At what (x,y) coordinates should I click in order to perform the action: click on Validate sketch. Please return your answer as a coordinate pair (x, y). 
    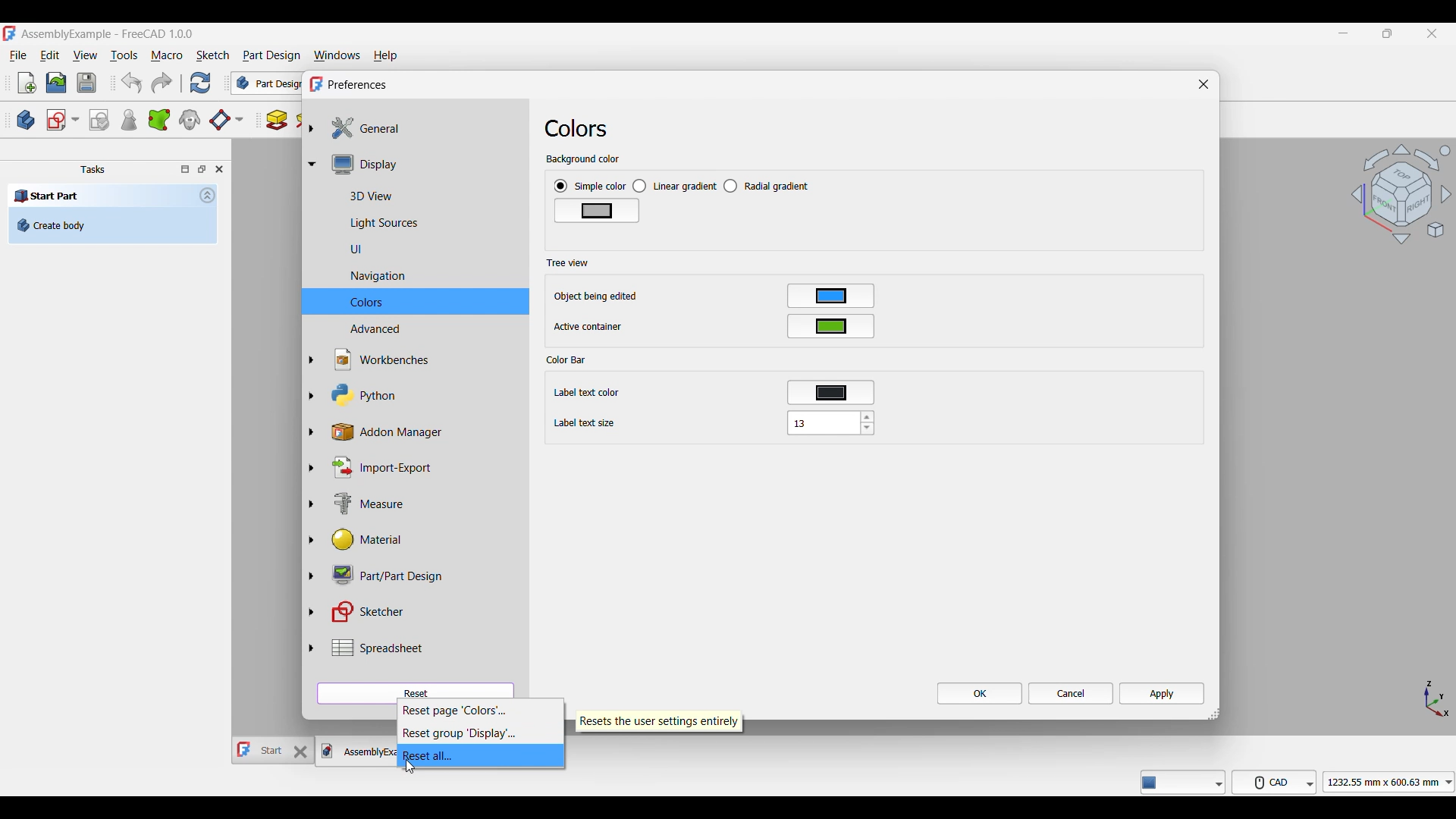
    Looking at the image, I should click on (99, 121).